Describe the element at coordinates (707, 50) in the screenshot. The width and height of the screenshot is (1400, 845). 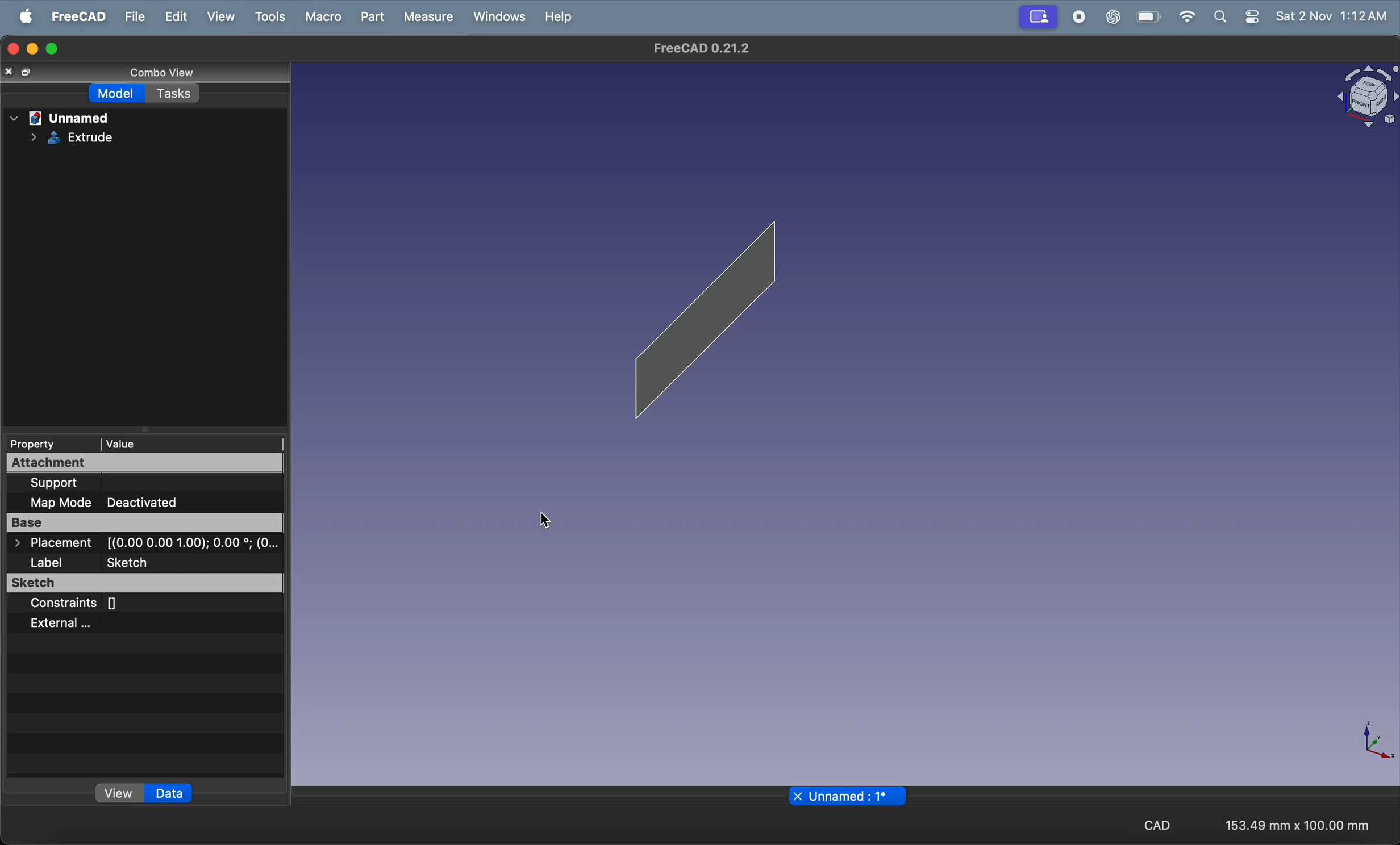
I see `FreeCAD 0.21.2` at that location.